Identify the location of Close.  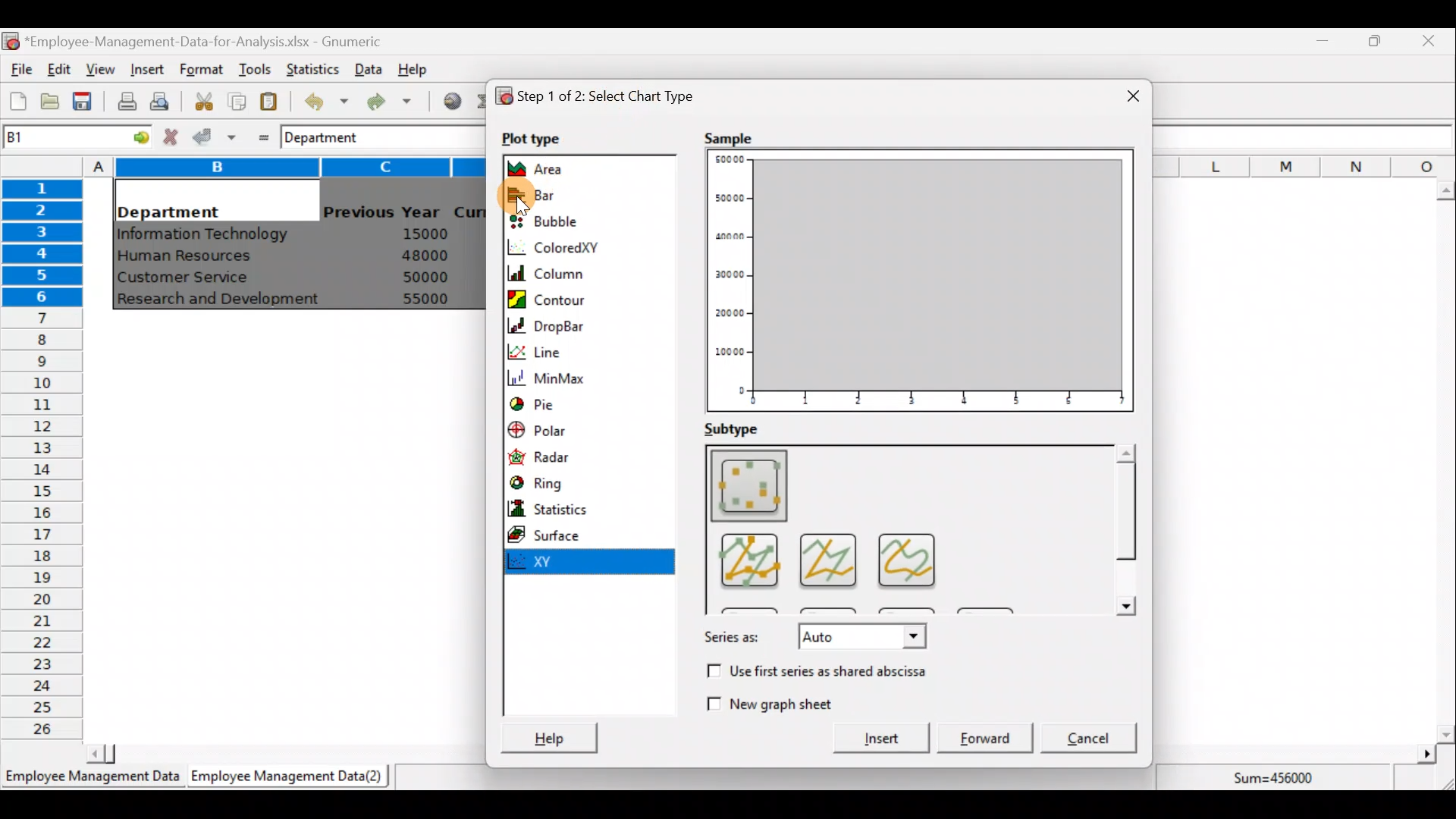
(1427, 43).